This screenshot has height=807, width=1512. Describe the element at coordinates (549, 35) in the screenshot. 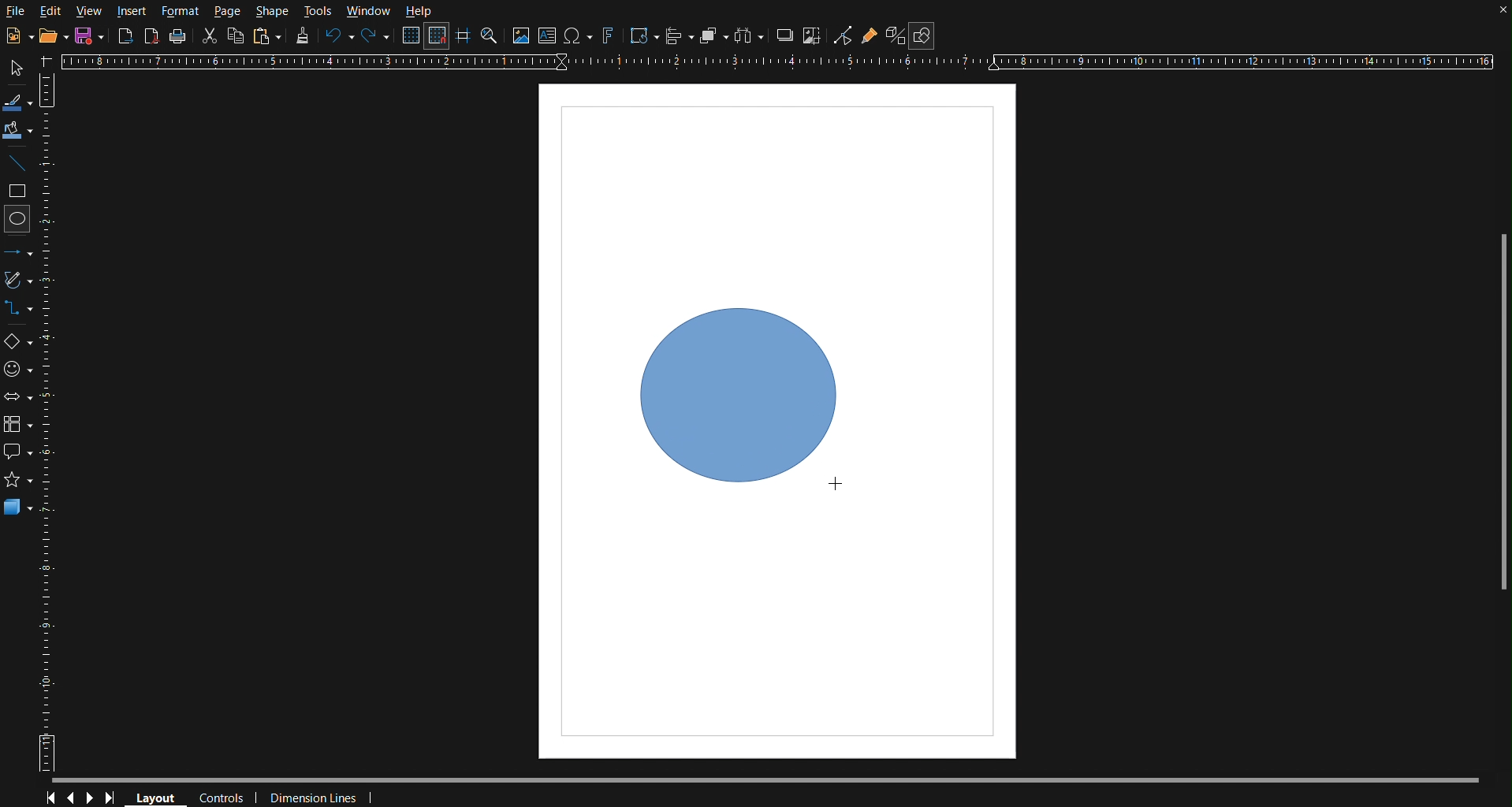

I see `Textbox` at that location.